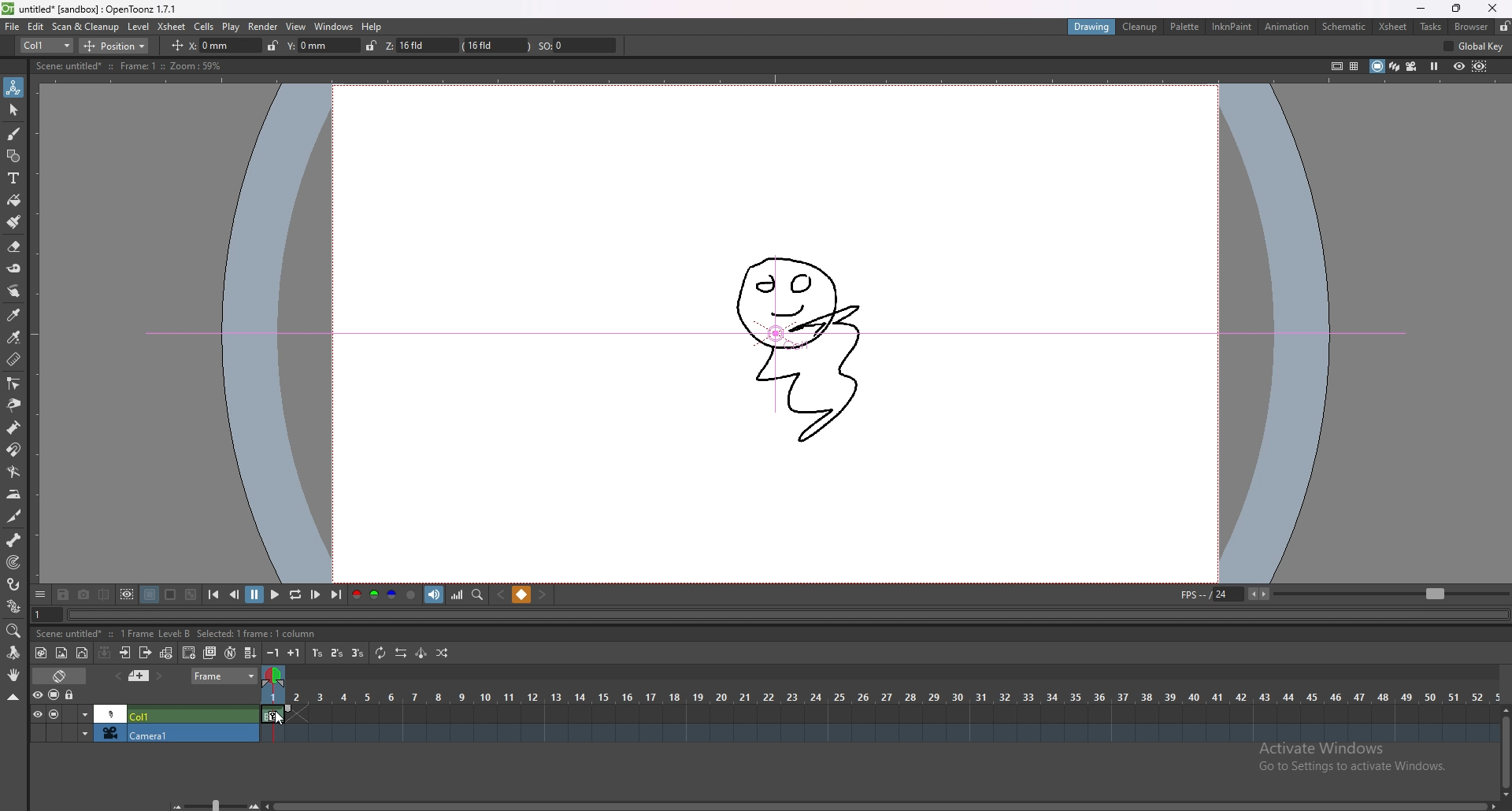 The width and height of the screenshot is (1512, 811). What do you see at coordinates (117, 676) in the screenshot?
I see `previous memo` at bounding box center [117, 676].